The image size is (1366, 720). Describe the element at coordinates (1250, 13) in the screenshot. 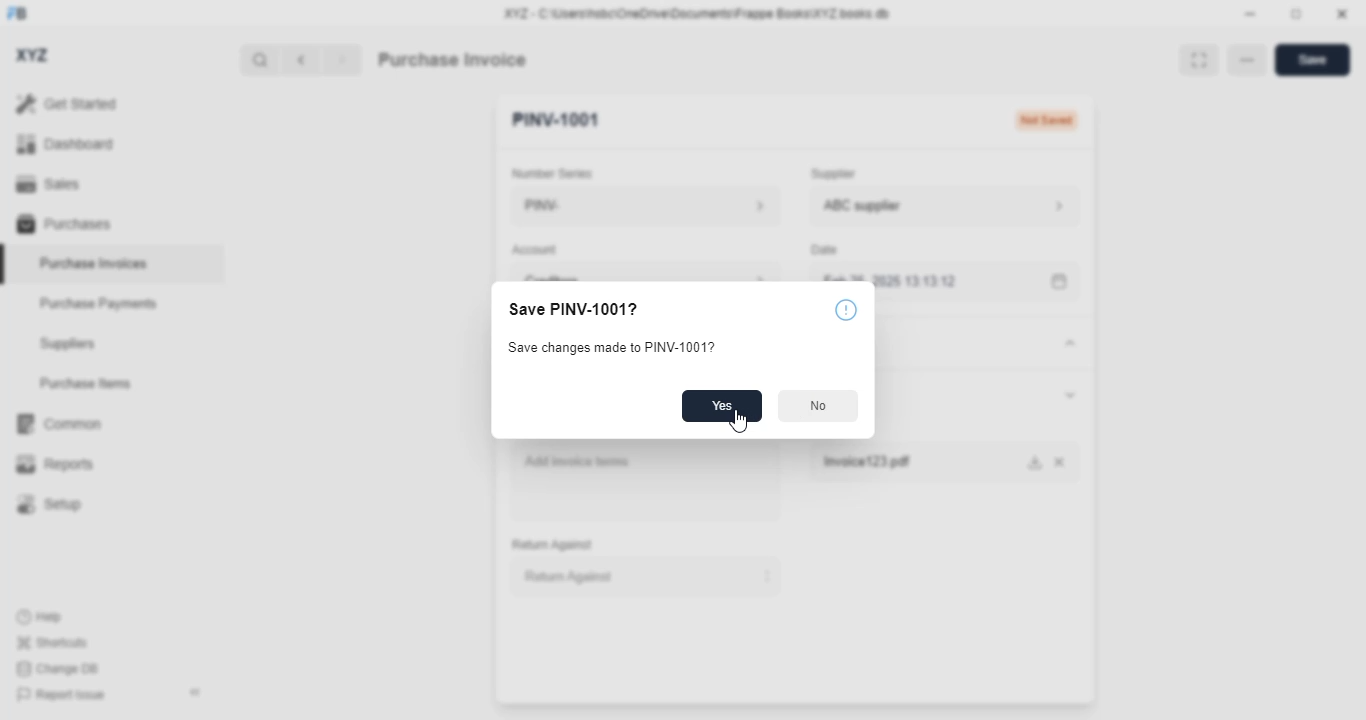

I see `minimize` at that location.